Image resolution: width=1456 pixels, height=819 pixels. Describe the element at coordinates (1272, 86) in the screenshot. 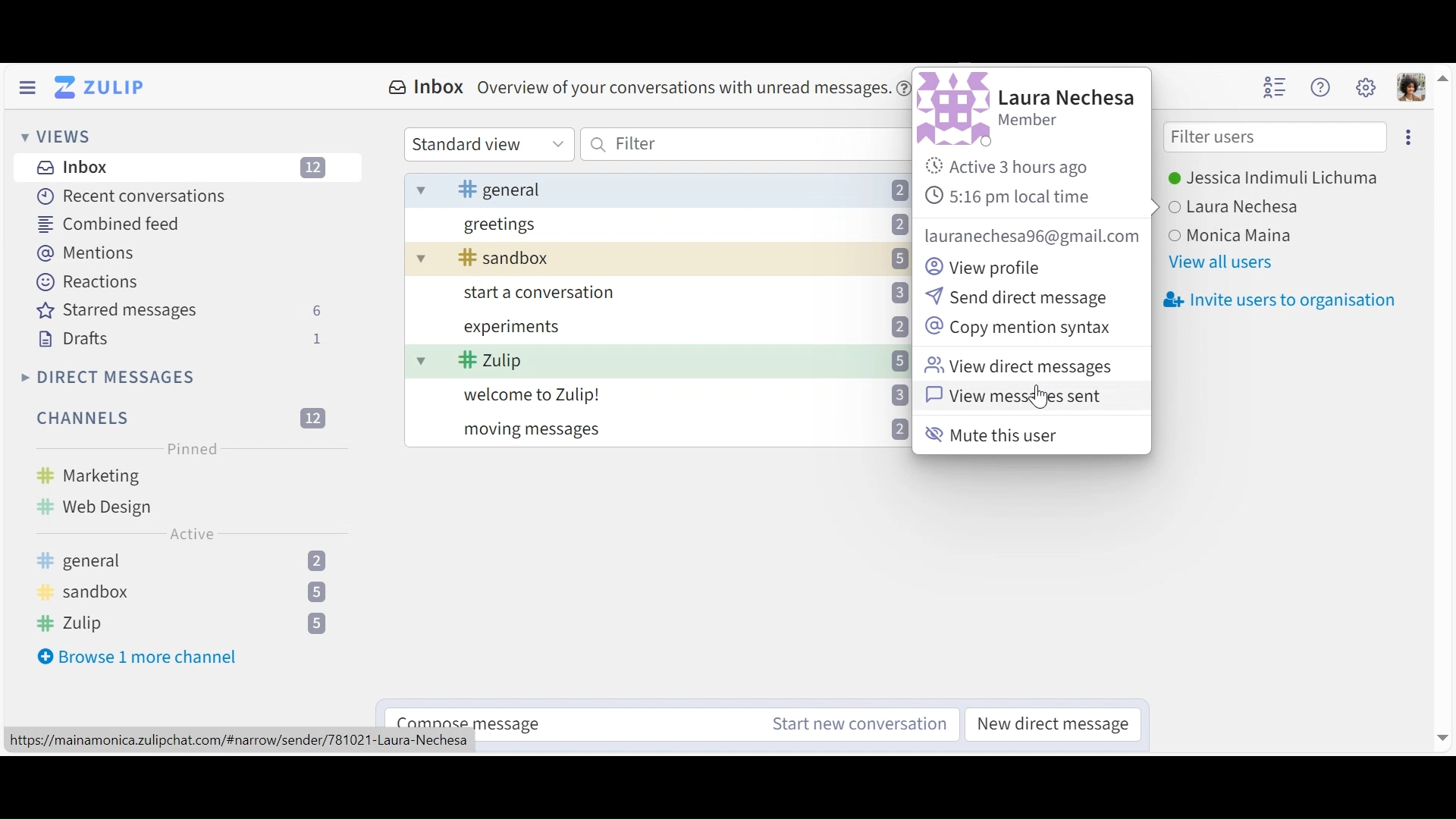

I see `Hide user list` at that location.